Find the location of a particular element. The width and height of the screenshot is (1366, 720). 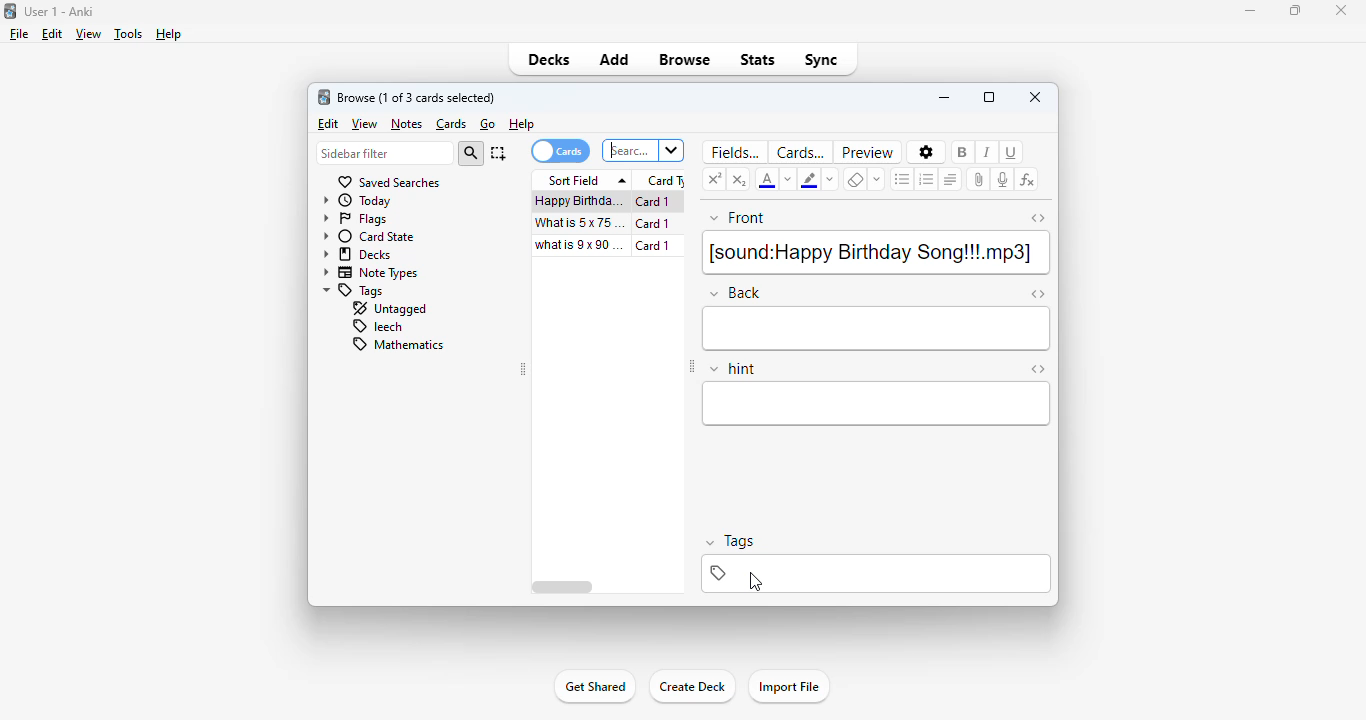

card state is located at coordinates (369, 237).